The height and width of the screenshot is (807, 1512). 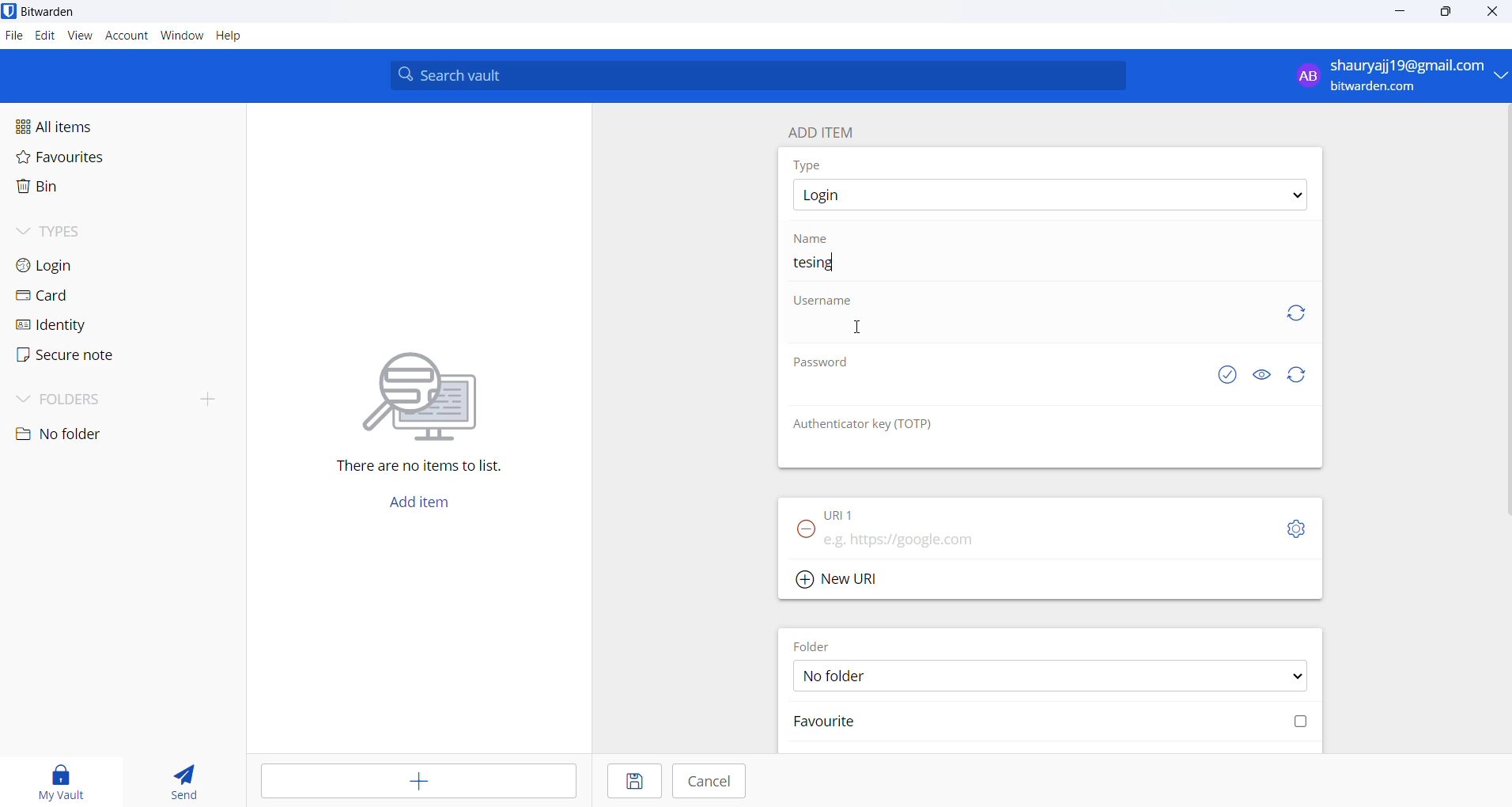 I want to click on ADD ITEM, so click(x=828, y=129).